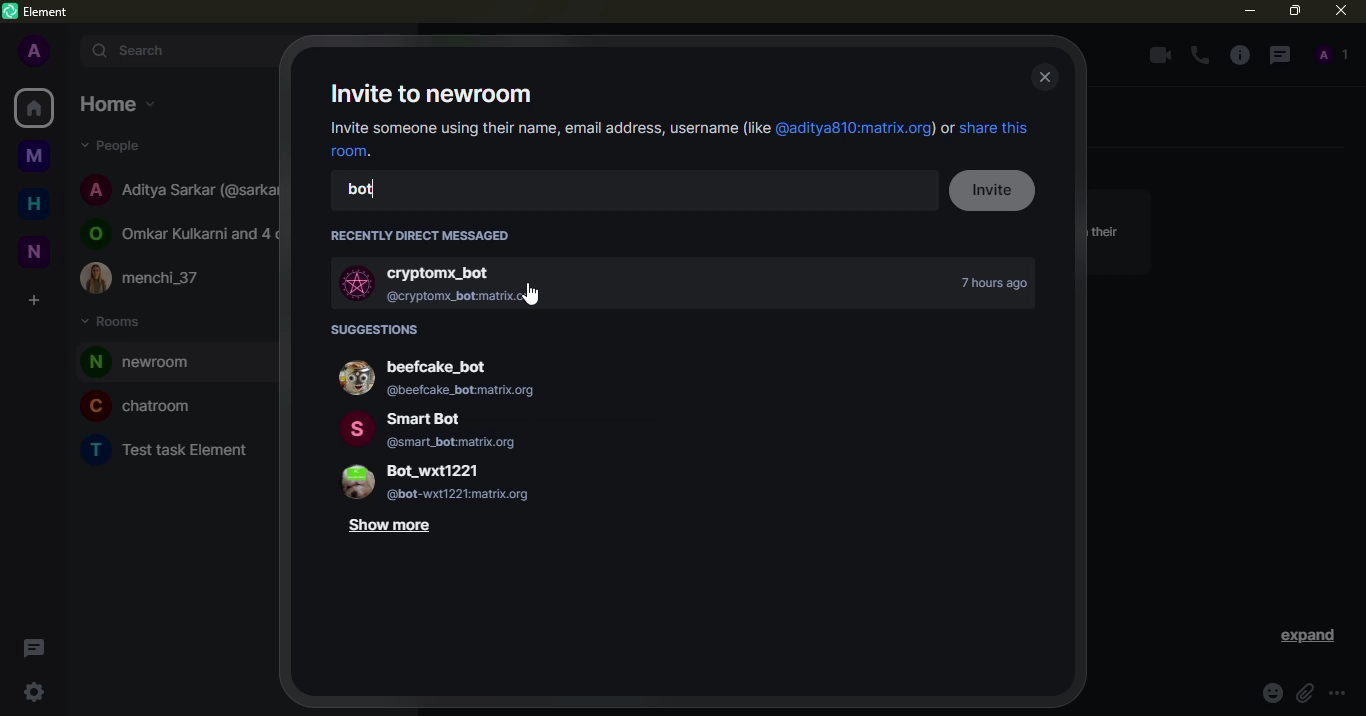  I want to click on more, so click(1342, 695).